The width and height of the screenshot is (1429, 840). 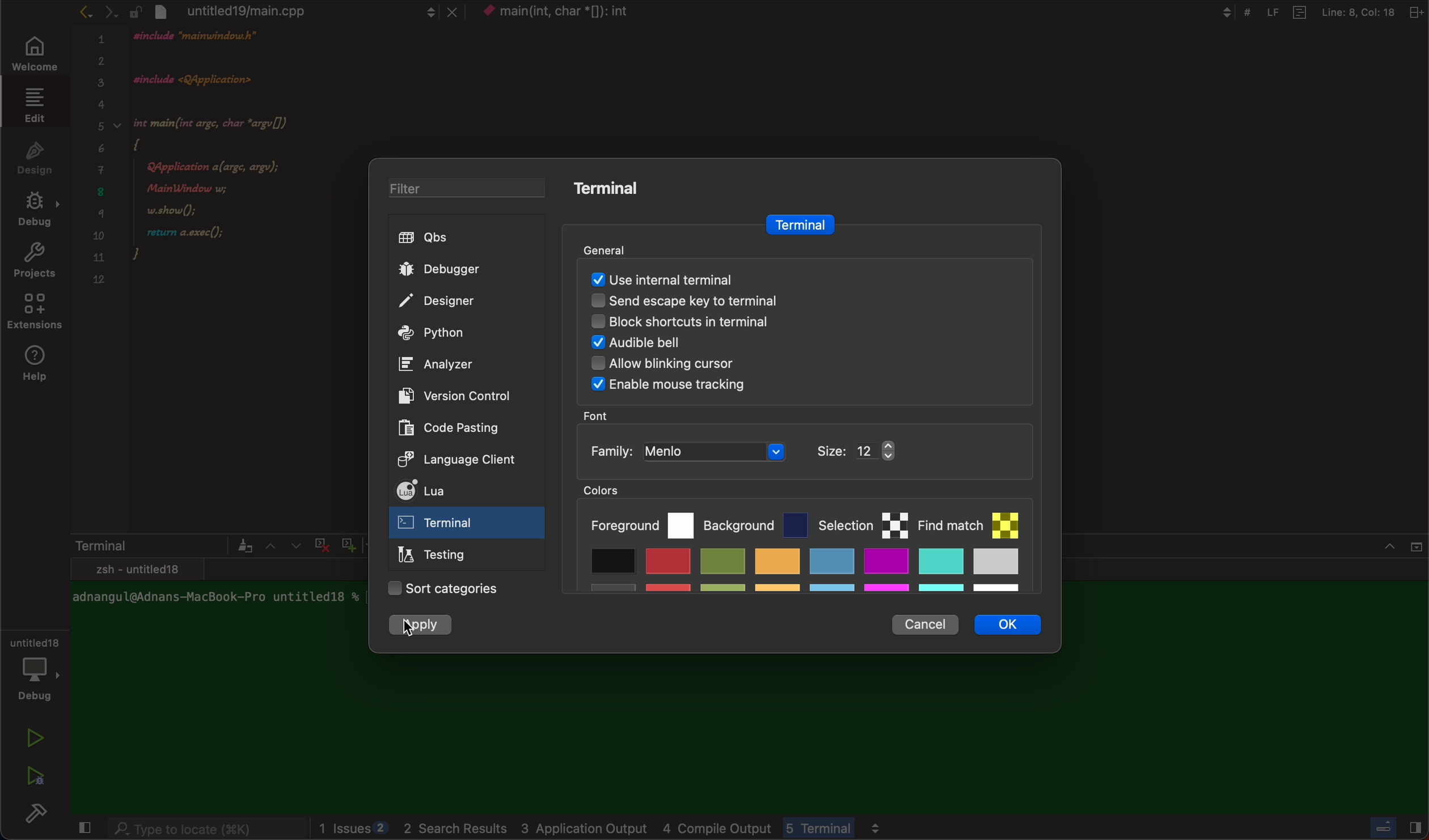 I want to click on font, so click(x=599, y=415).